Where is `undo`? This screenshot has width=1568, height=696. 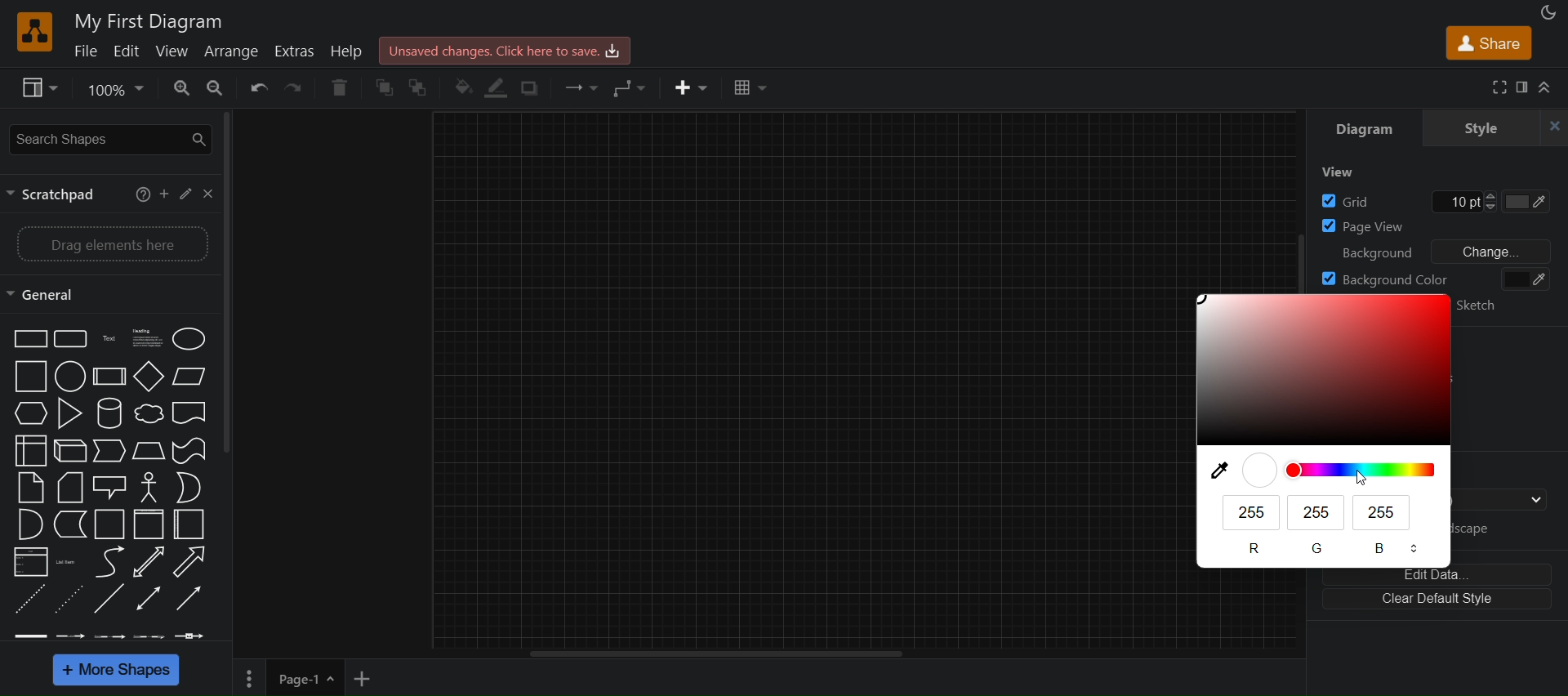 undo is located at coordinates (258, 88).